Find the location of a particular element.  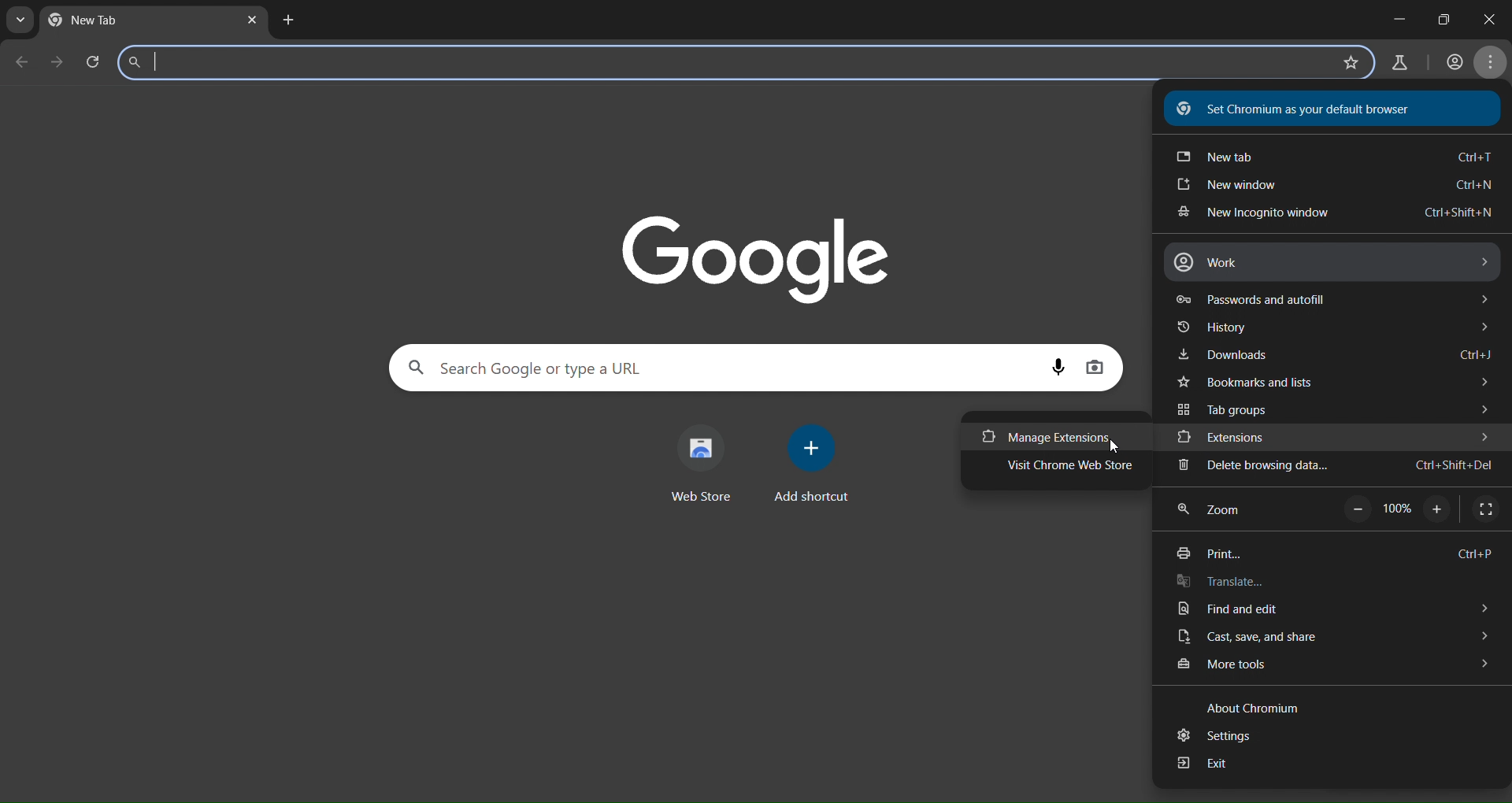

go forward one page is located at coordinates (60, 62).